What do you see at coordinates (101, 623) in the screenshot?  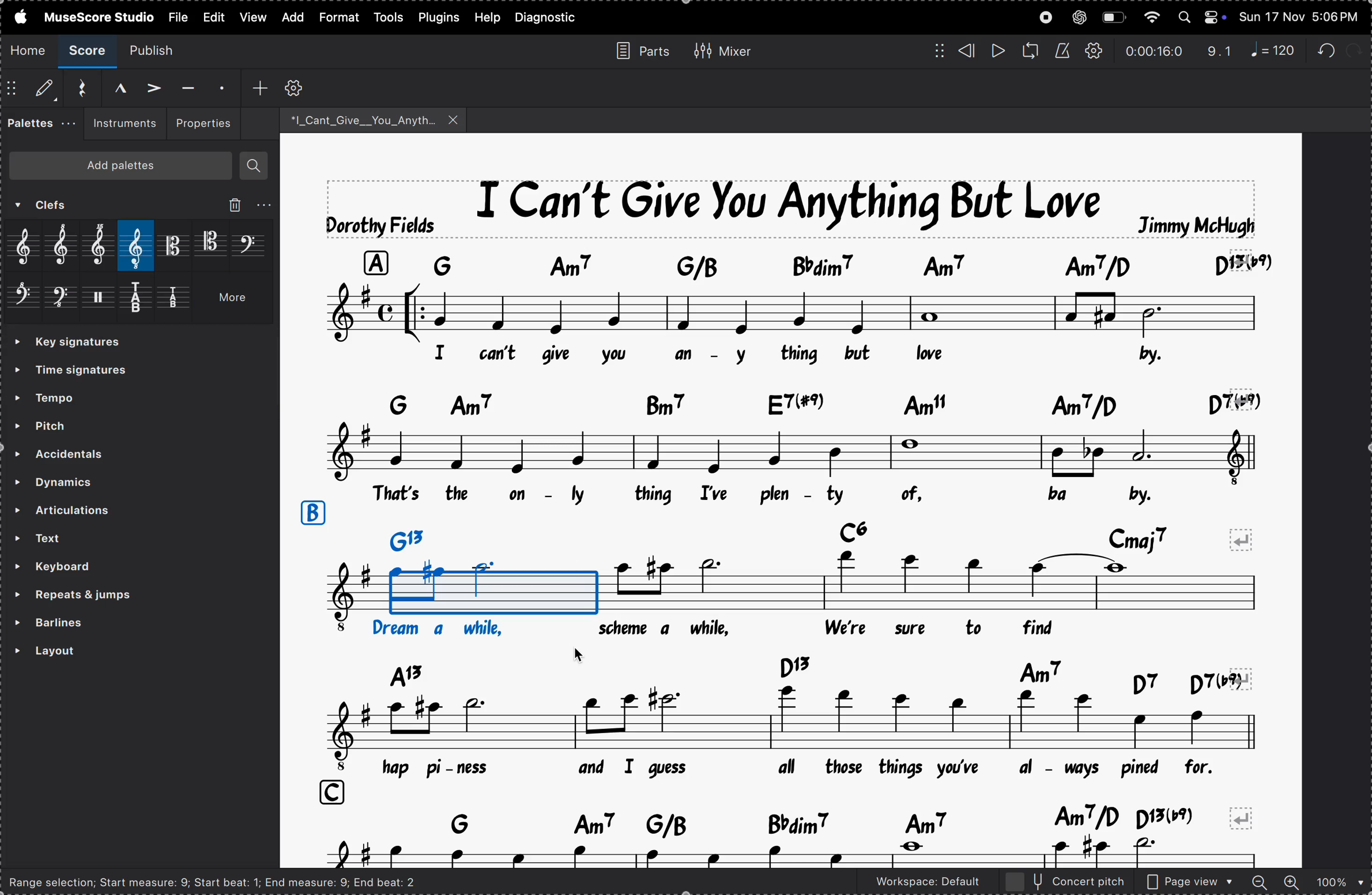 I see `barlines` at bounding box center [101, 623].